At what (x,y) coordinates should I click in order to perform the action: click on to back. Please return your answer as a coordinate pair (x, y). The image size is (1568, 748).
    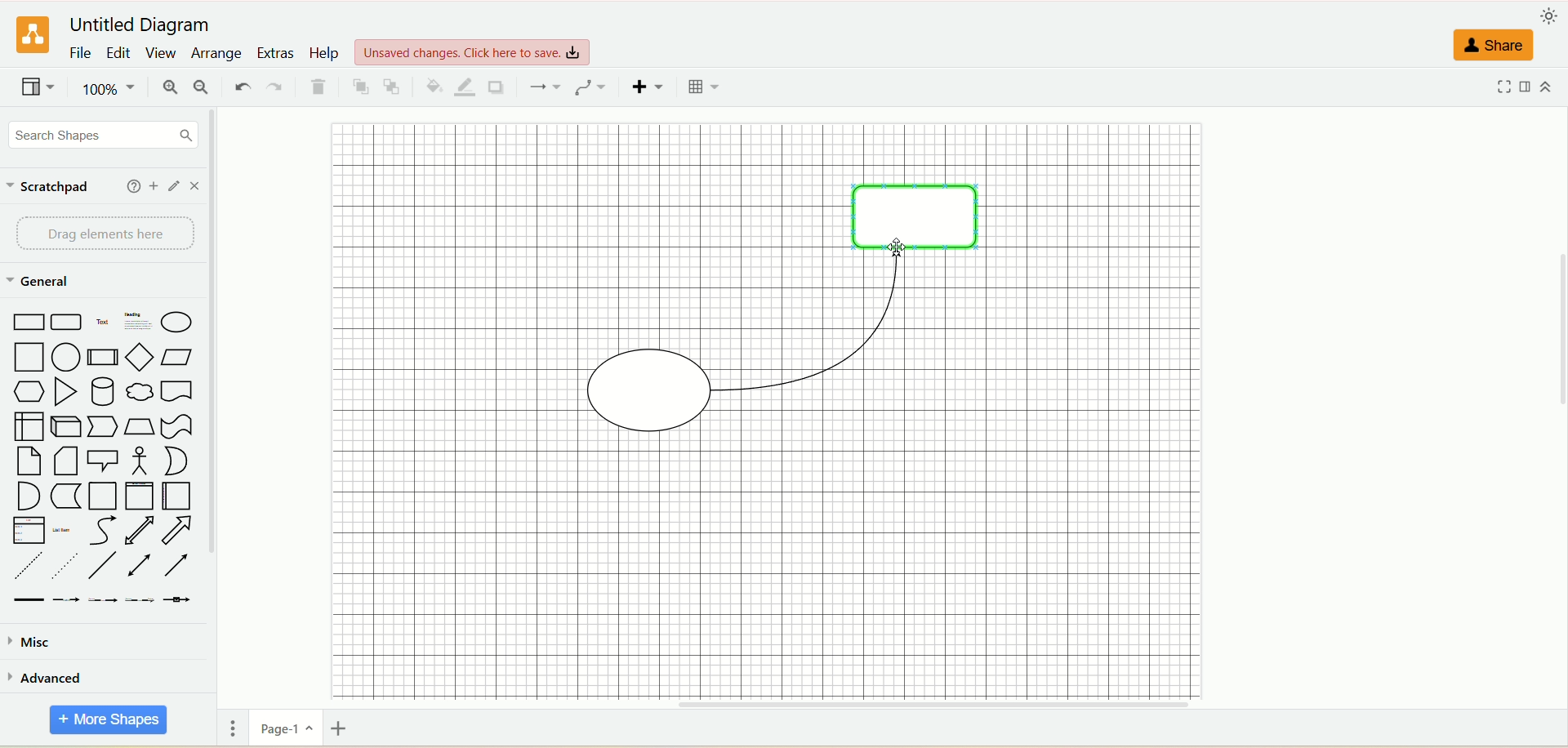
    Looking at the image, I should click on (394, 87).